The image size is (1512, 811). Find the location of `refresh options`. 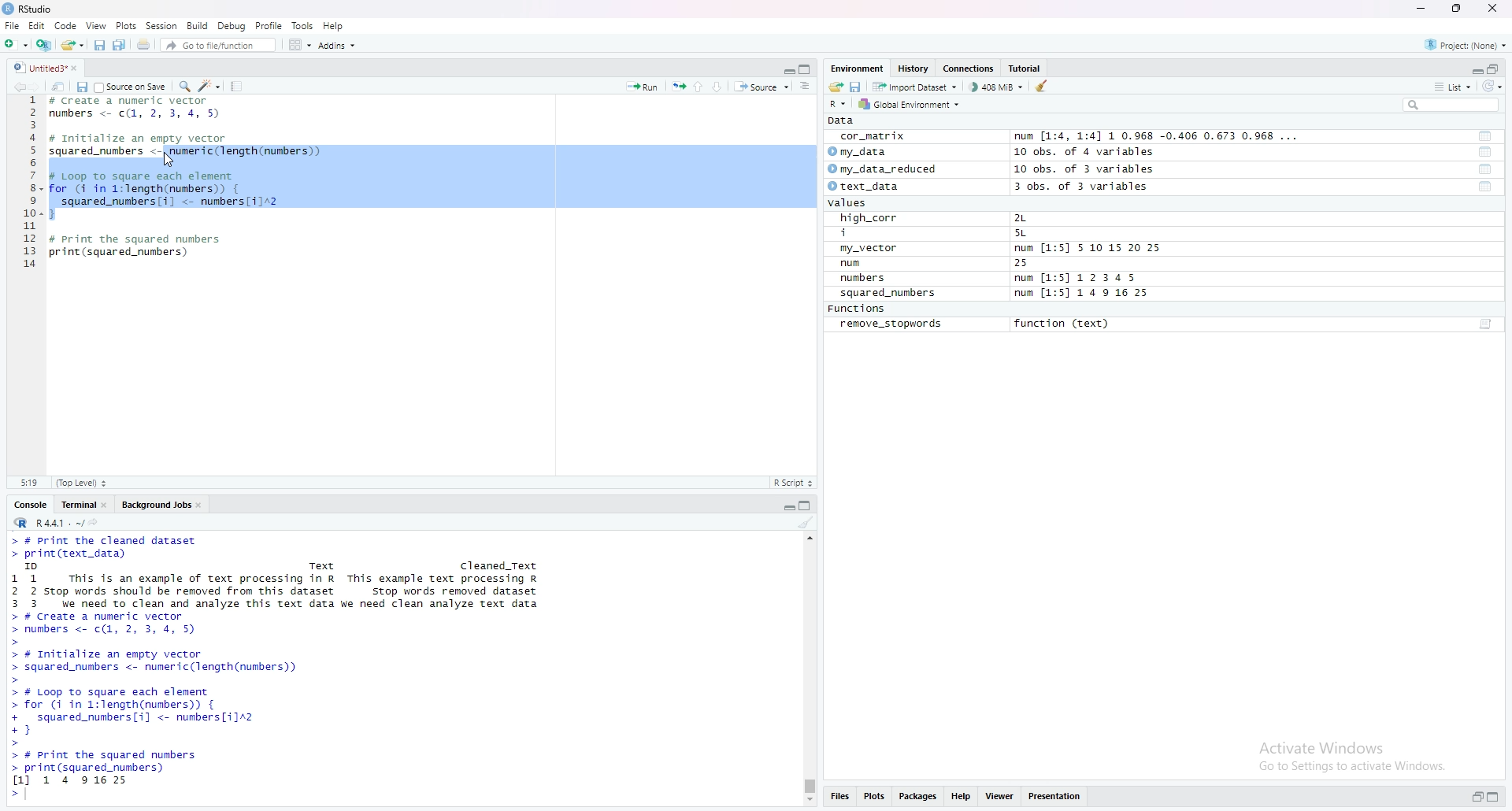

refresh options is located at coordinates (1492, 87).